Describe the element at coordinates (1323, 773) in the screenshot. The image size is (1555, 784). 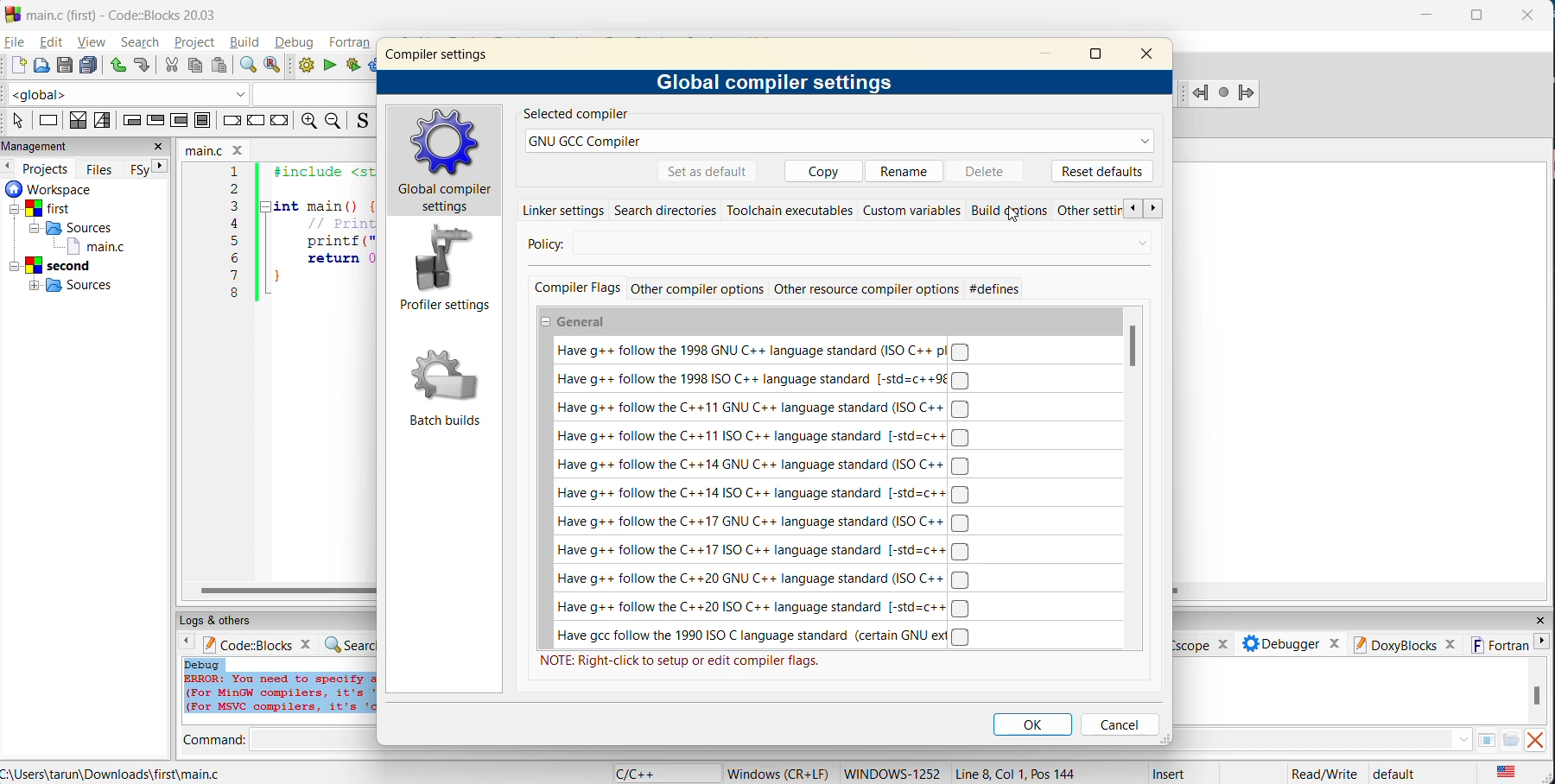
I see `Read/Write` at that location.